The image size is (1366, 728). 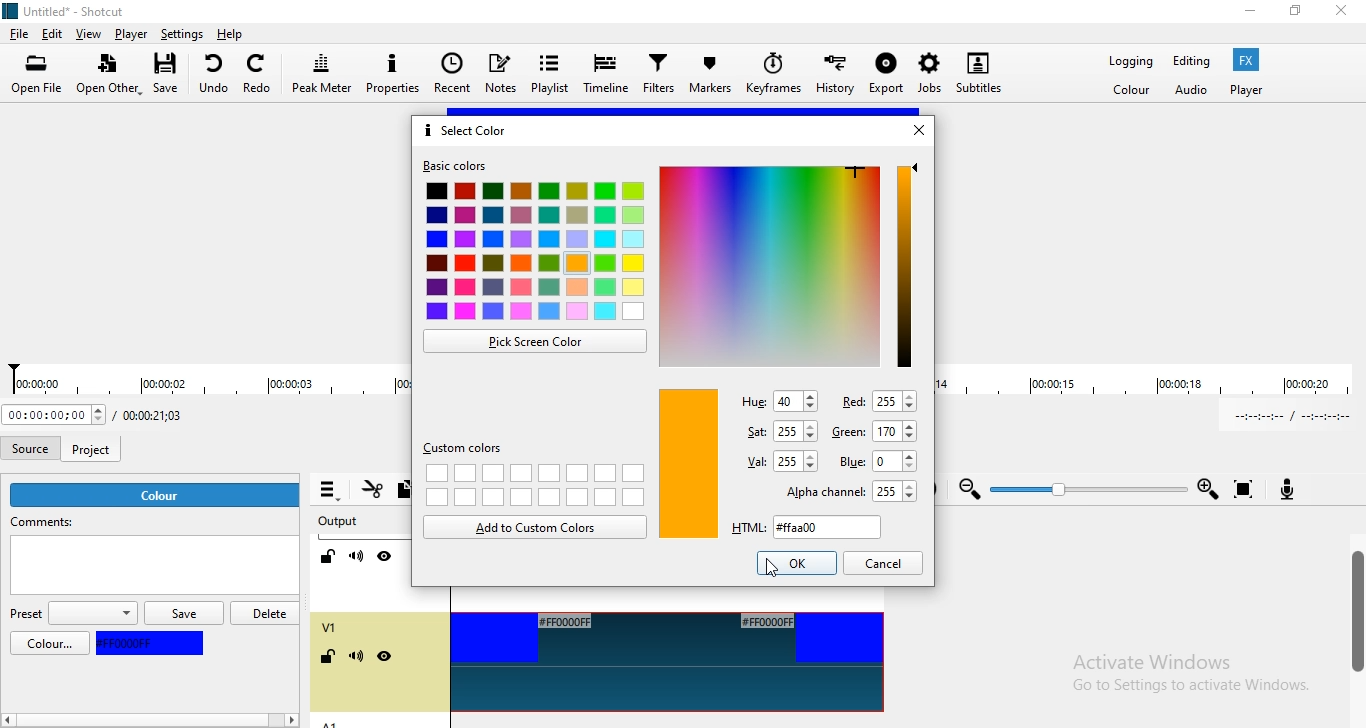 What do you see at coordinates (802, 528) in the screenshot?
I see `html` at bounding box center [802, 528].